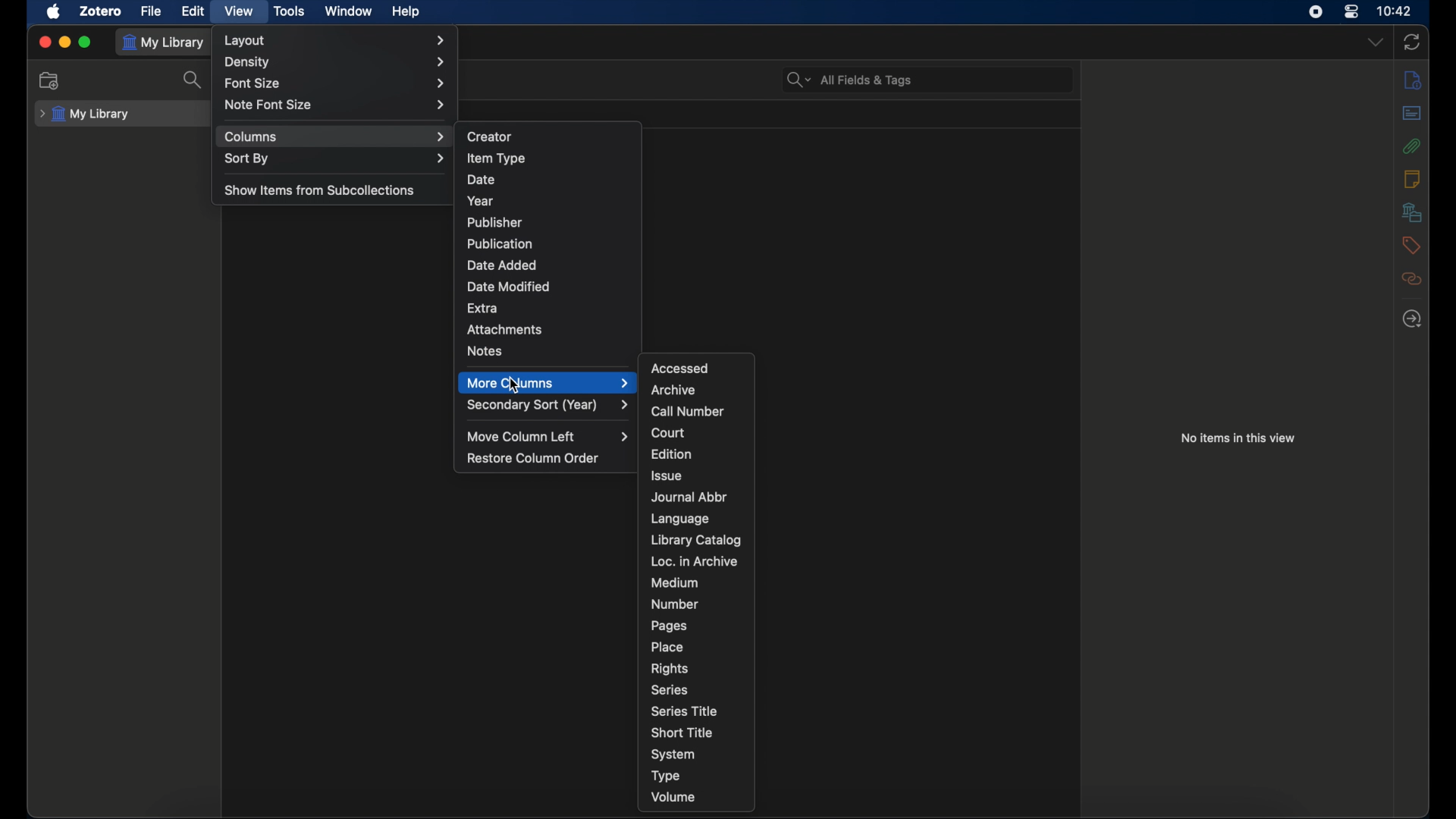  Describe the element at coordinates (682, 732) in the screenshot. I see `short title` at that location.